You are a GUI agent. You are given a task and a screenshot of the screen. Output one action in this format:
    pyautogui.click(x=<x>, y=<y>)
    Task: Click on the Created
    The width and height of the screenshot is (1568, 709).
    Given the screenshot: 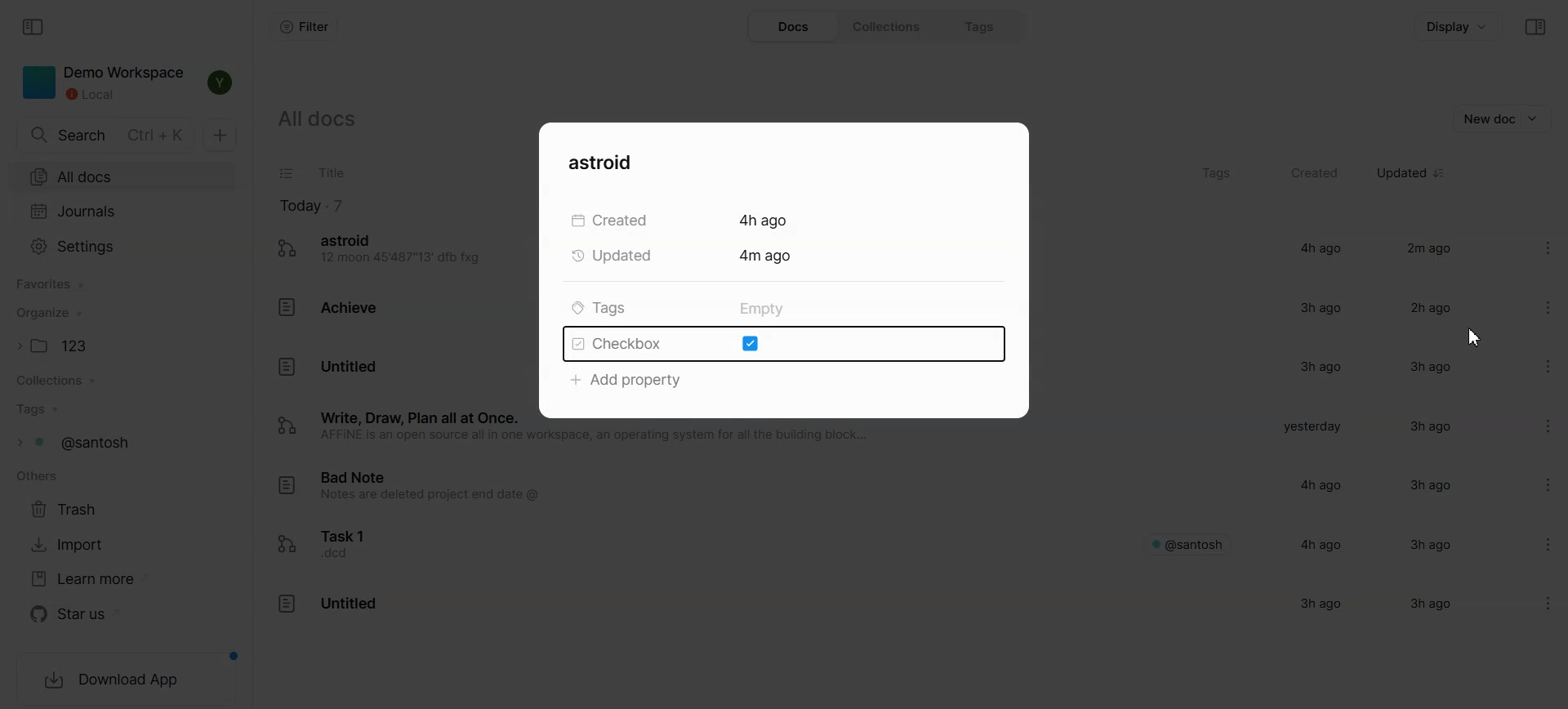 What is the action you would take?
    pyautogui.click(x=1316, y=173)
    